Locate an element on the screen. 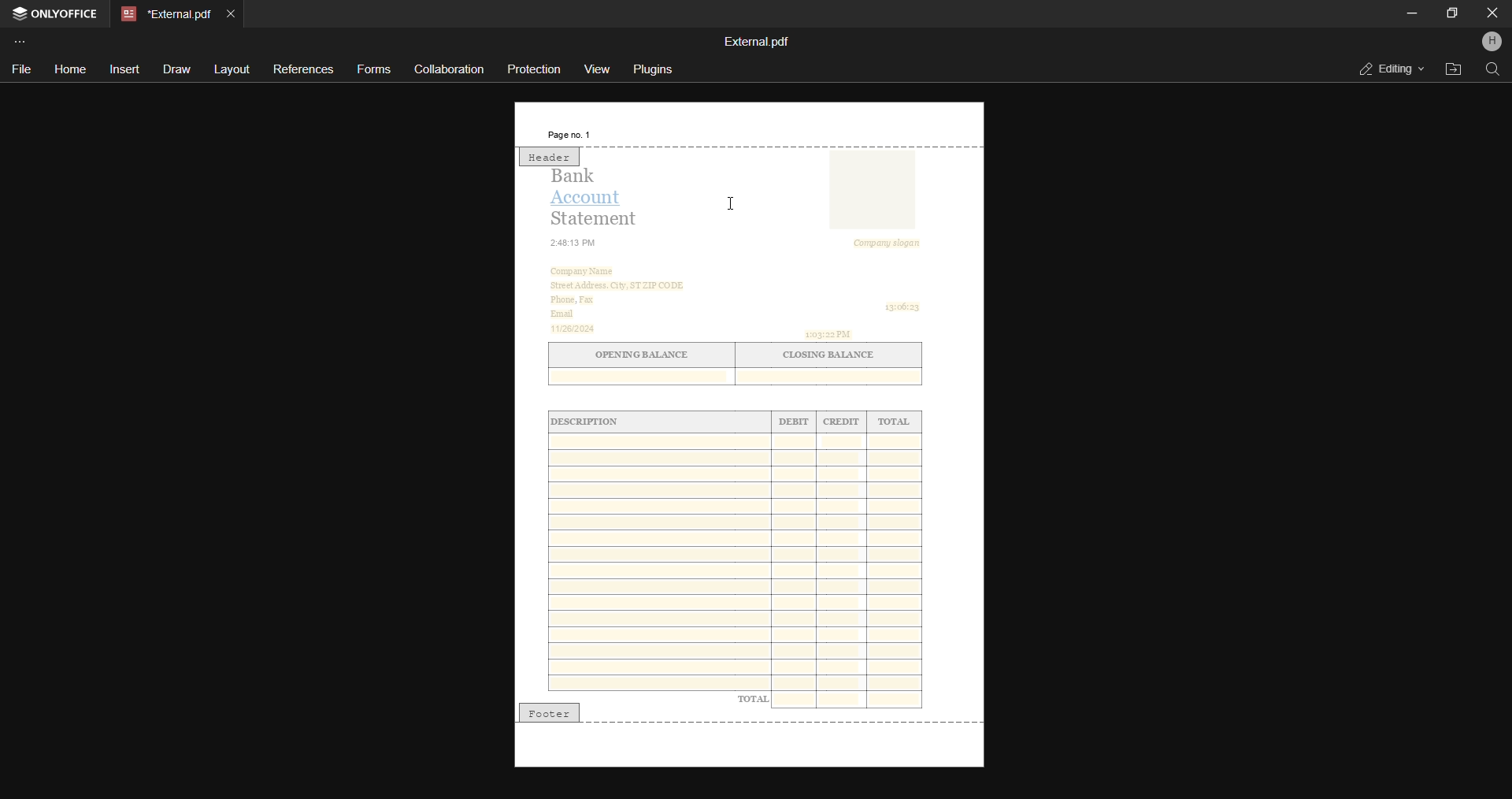  protection is located at coordinates (536, 69).